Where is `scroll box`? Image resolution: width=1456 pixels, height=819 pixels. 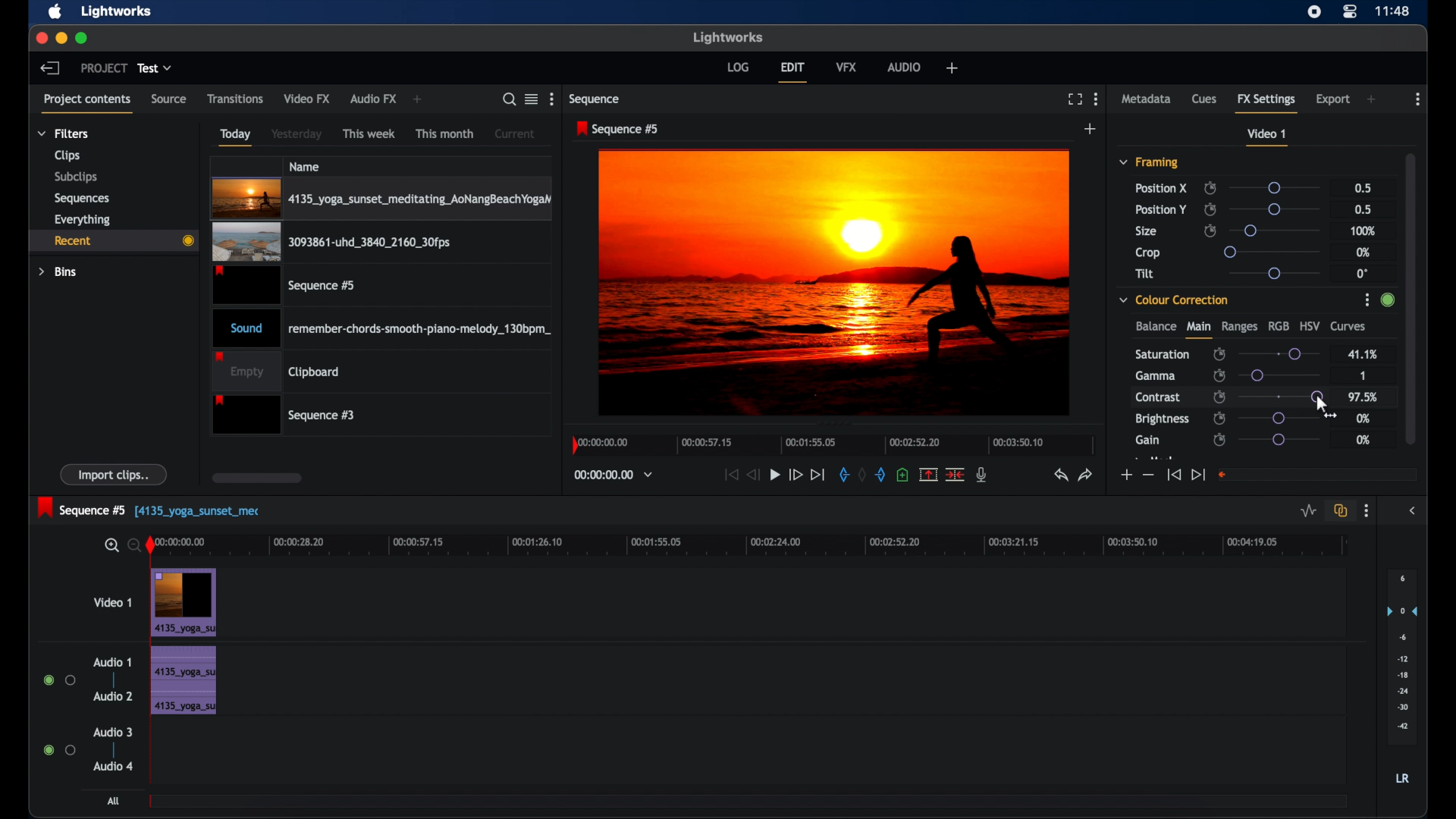
scroll box is located at coordinates (1411, 297).